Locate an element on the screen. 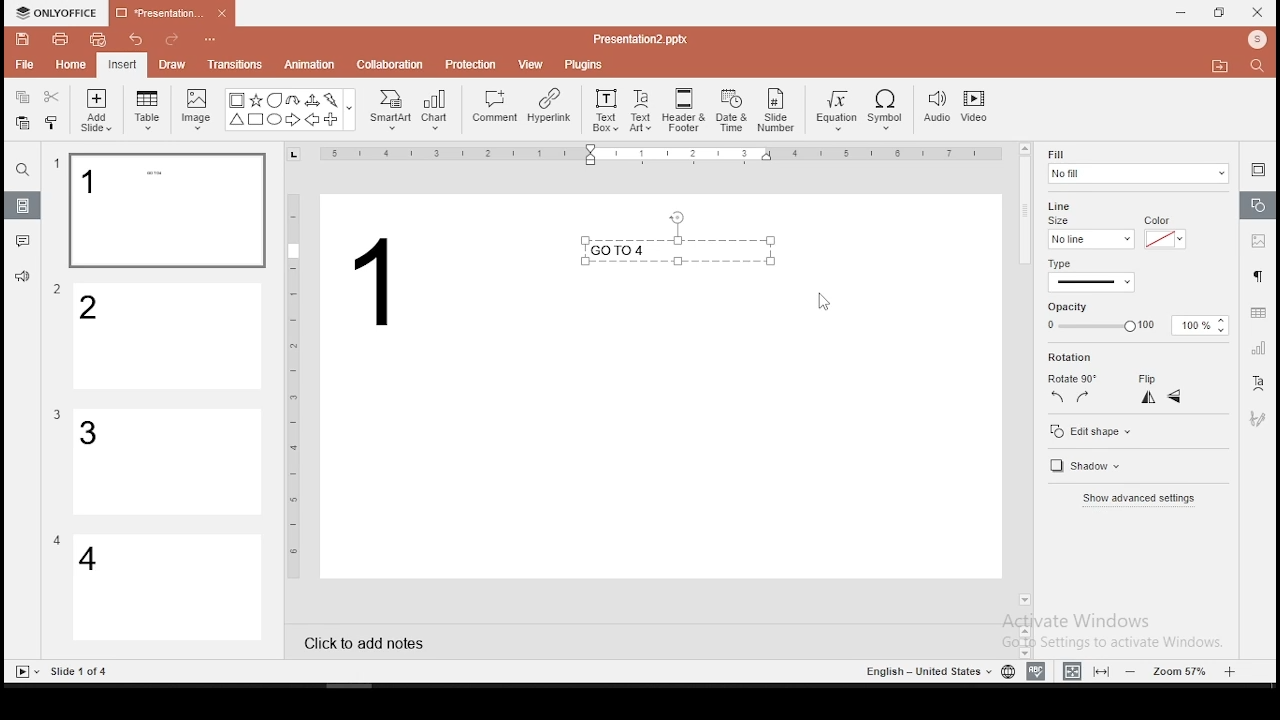  redo is located at coordinates (172, 42).